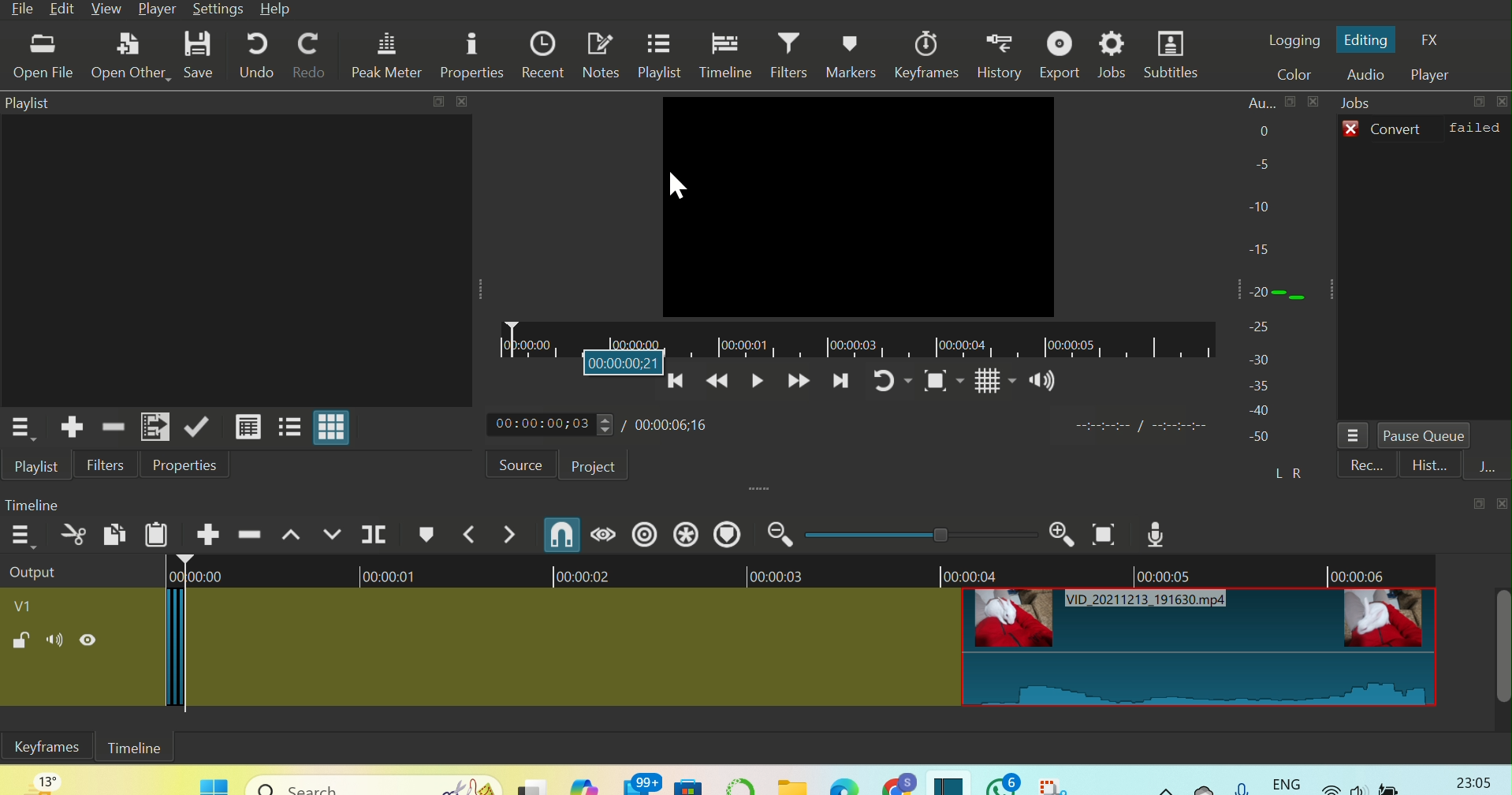 The height and width of the screenshot is (795, 1512). Describe the element at coordinates (600, 56) in the screenshot. I see `Notes` at that location.